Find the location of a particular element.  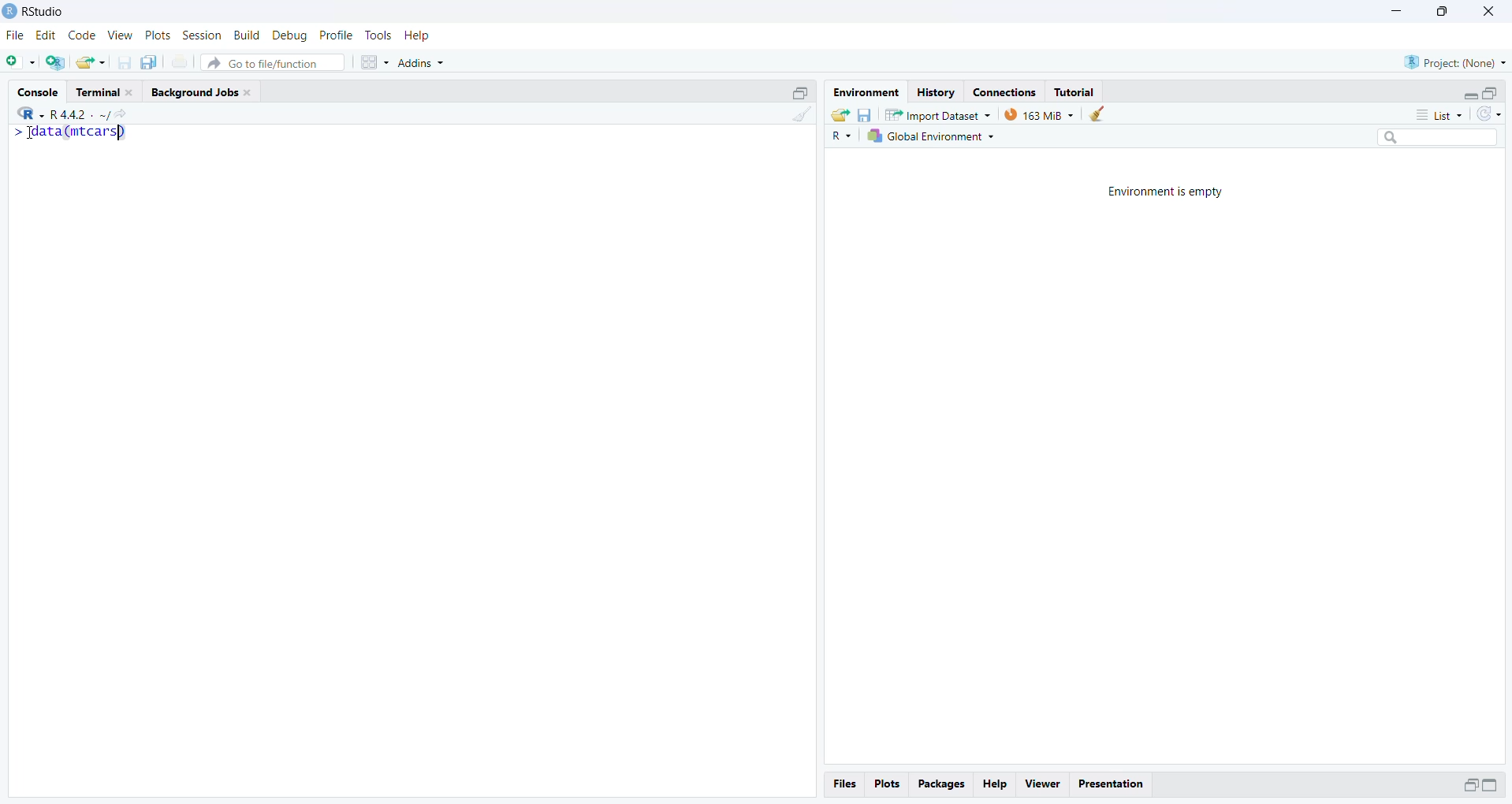

files is located at coordinates (846, 785).